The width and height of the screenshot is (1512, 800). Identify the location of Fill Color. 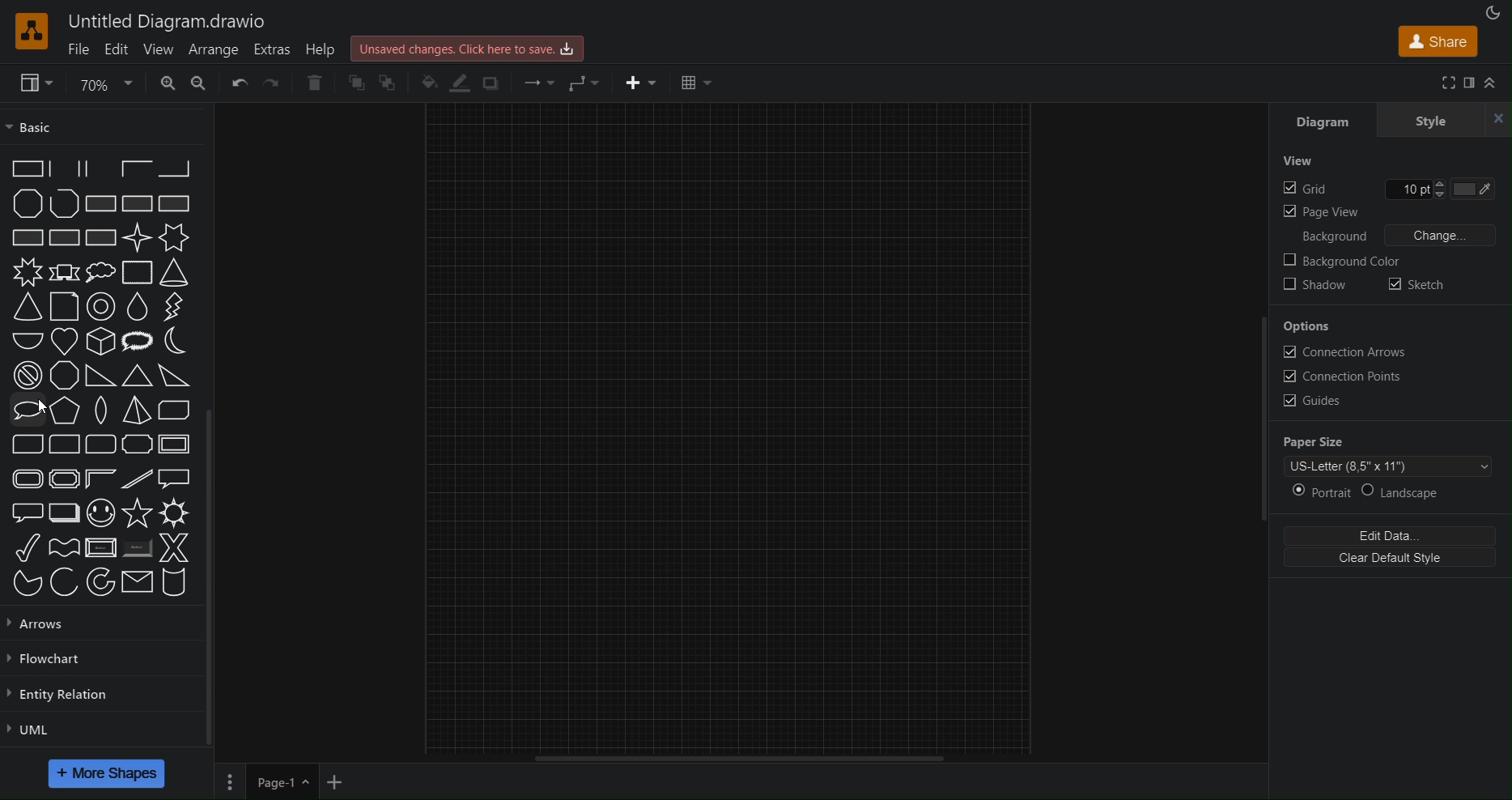
(424, 81).